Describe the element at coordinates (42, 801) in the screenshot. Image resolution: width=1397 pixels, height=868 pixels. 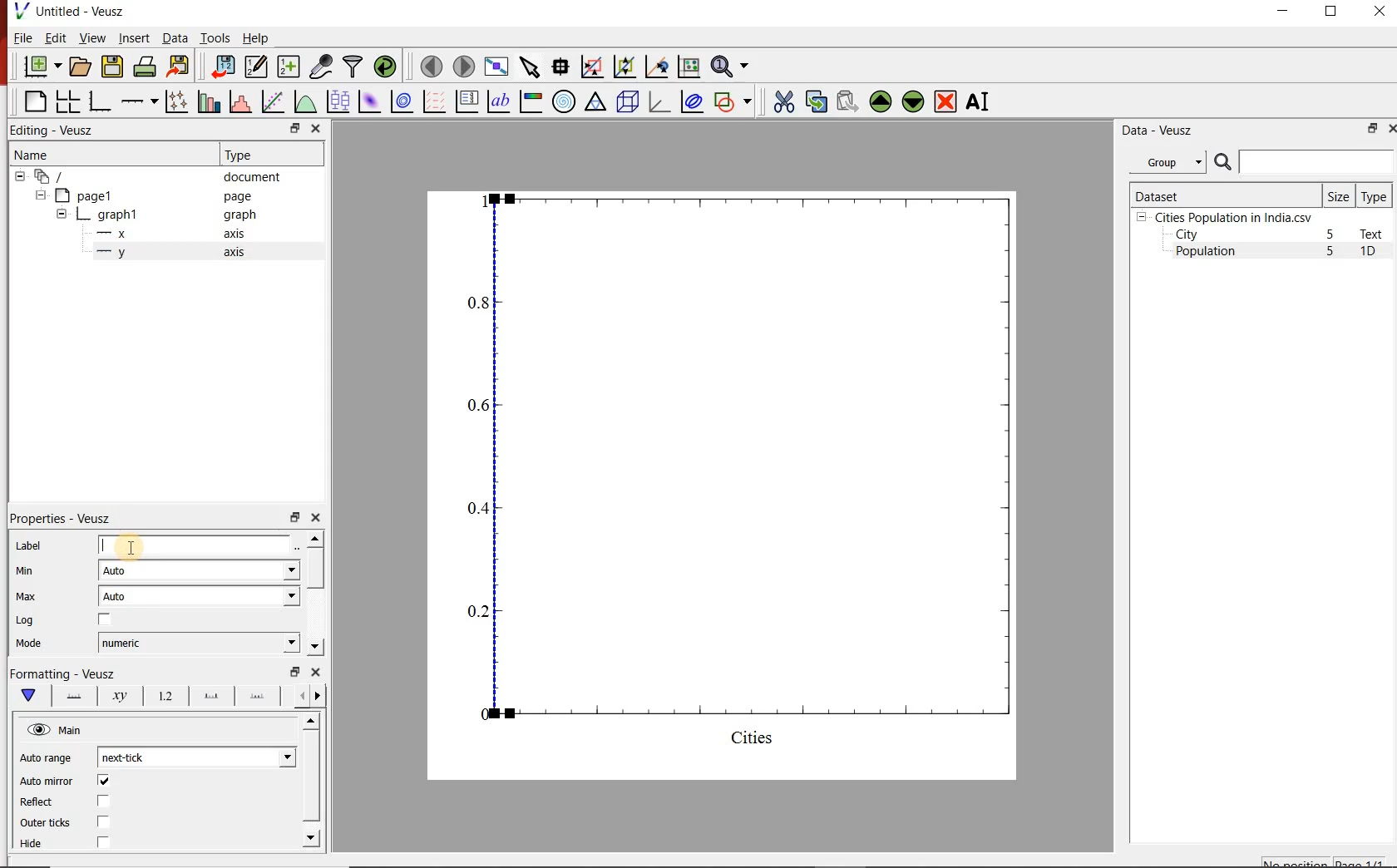
I see `Reflect` at that location.